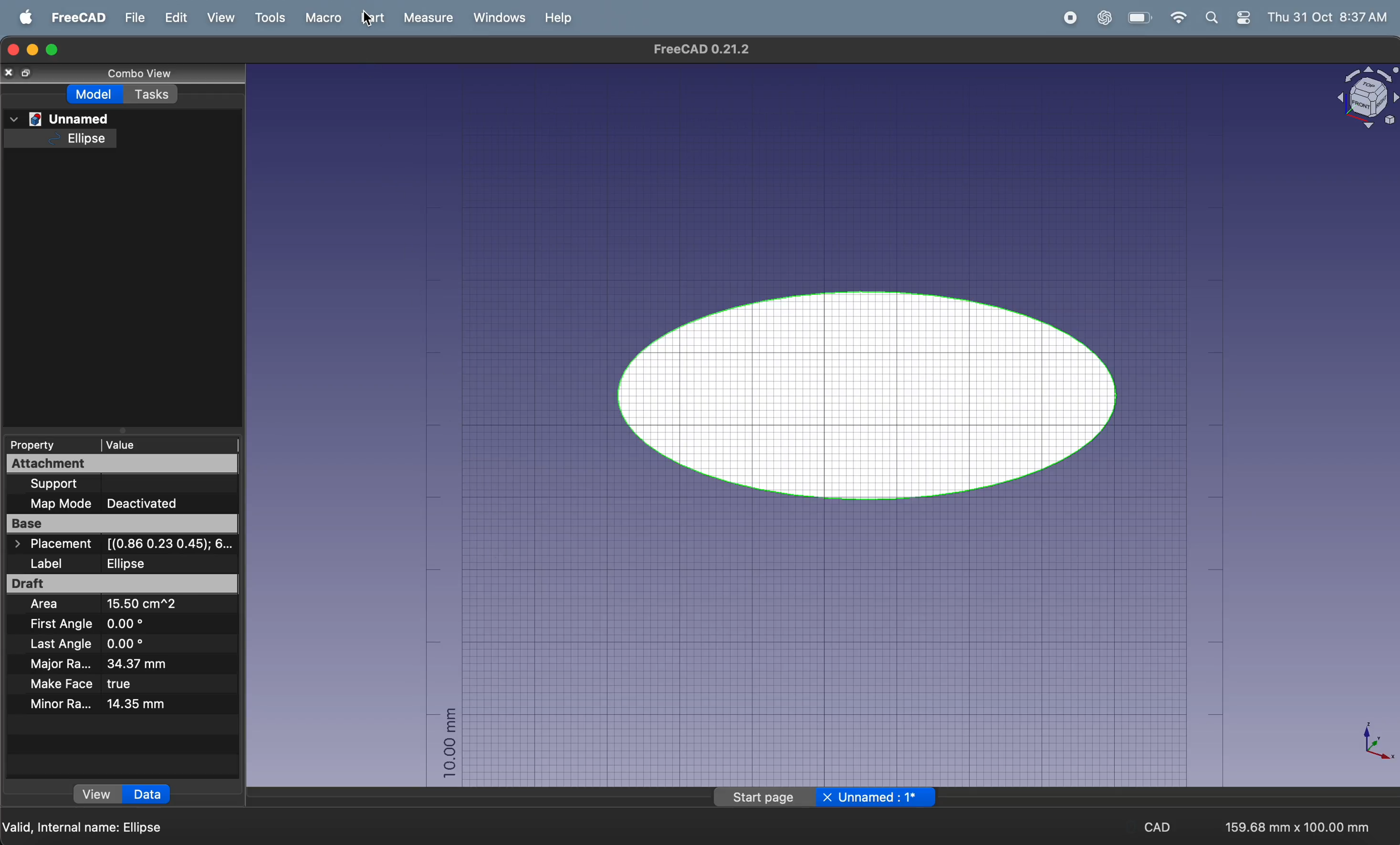 This screenshot has width=1400, height=845. What do you see at coordinates (266, 18) in the screenshot?
I see `tools` at bounding box center [266, 18].